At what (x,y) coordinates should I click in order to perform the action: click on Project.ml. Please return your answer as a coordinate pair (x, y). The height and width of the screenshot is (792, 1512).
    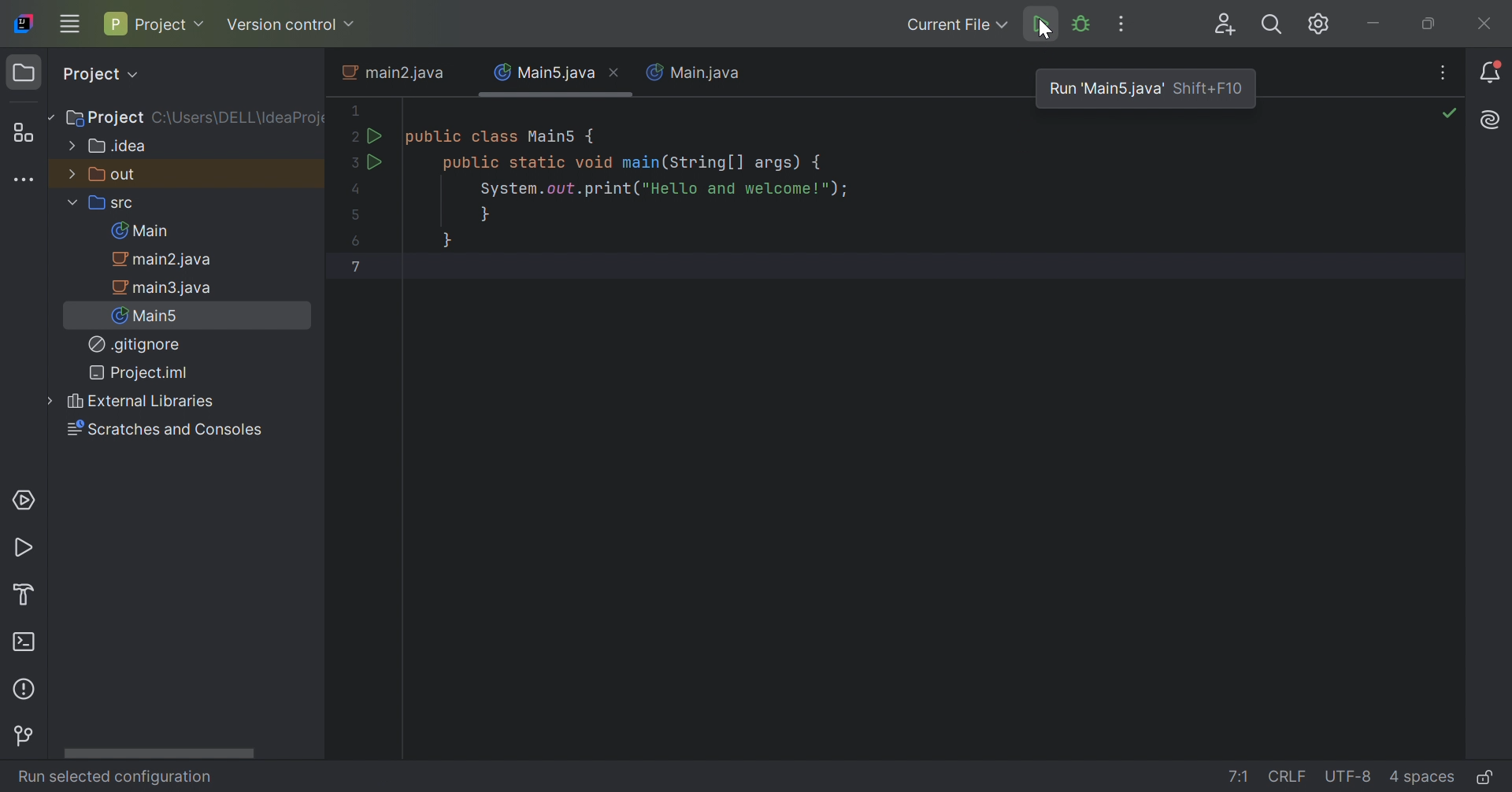
    Looking at the image, I should click on (143, 372).